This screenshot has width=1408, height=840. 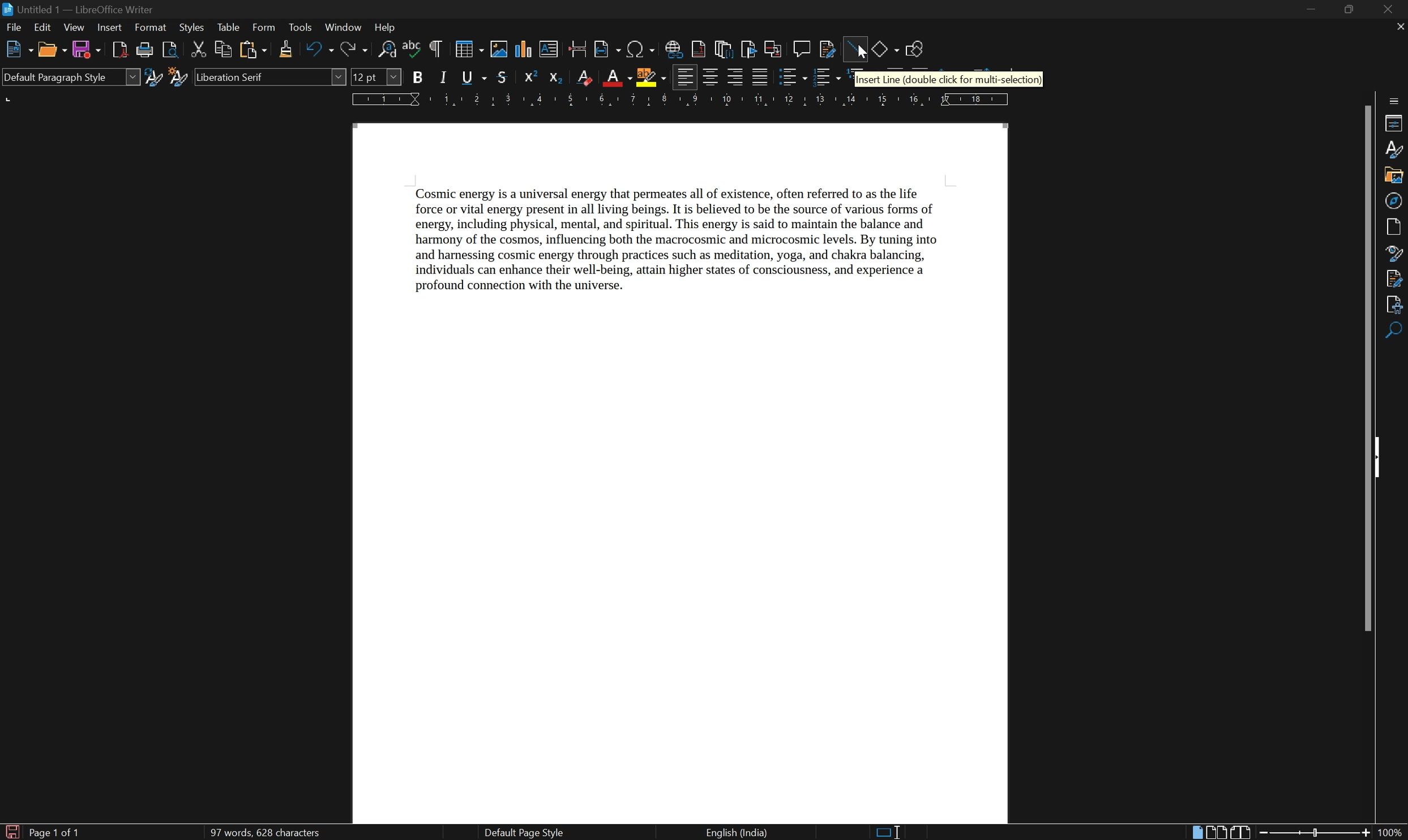 I want to click on ruler, so click(x=679, y=100).